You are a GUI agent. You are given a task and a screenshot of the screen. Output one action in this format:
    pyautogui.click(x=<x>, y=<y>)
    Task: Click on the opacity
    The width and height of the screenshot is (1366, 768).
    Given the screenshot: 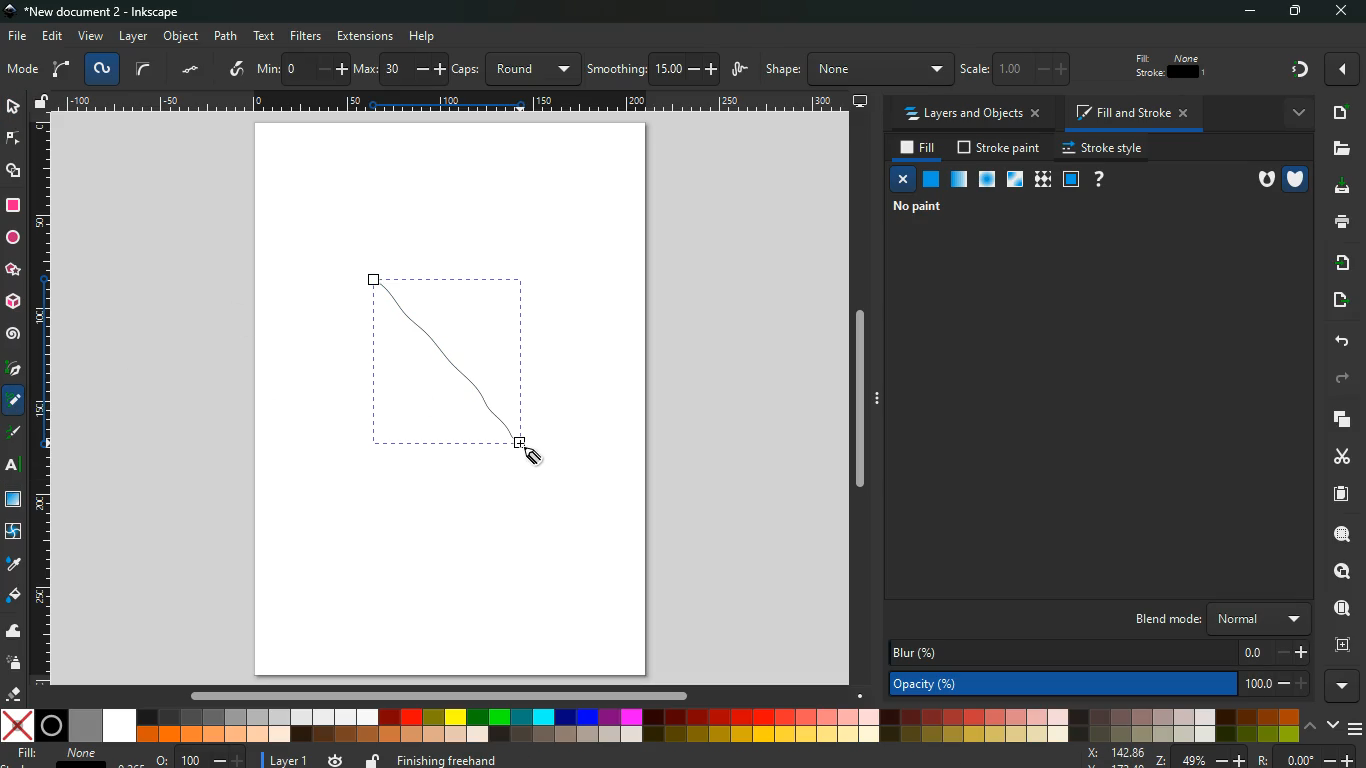 What is the action you would take?
    pyautogui.click(x=1099, y=684)
    